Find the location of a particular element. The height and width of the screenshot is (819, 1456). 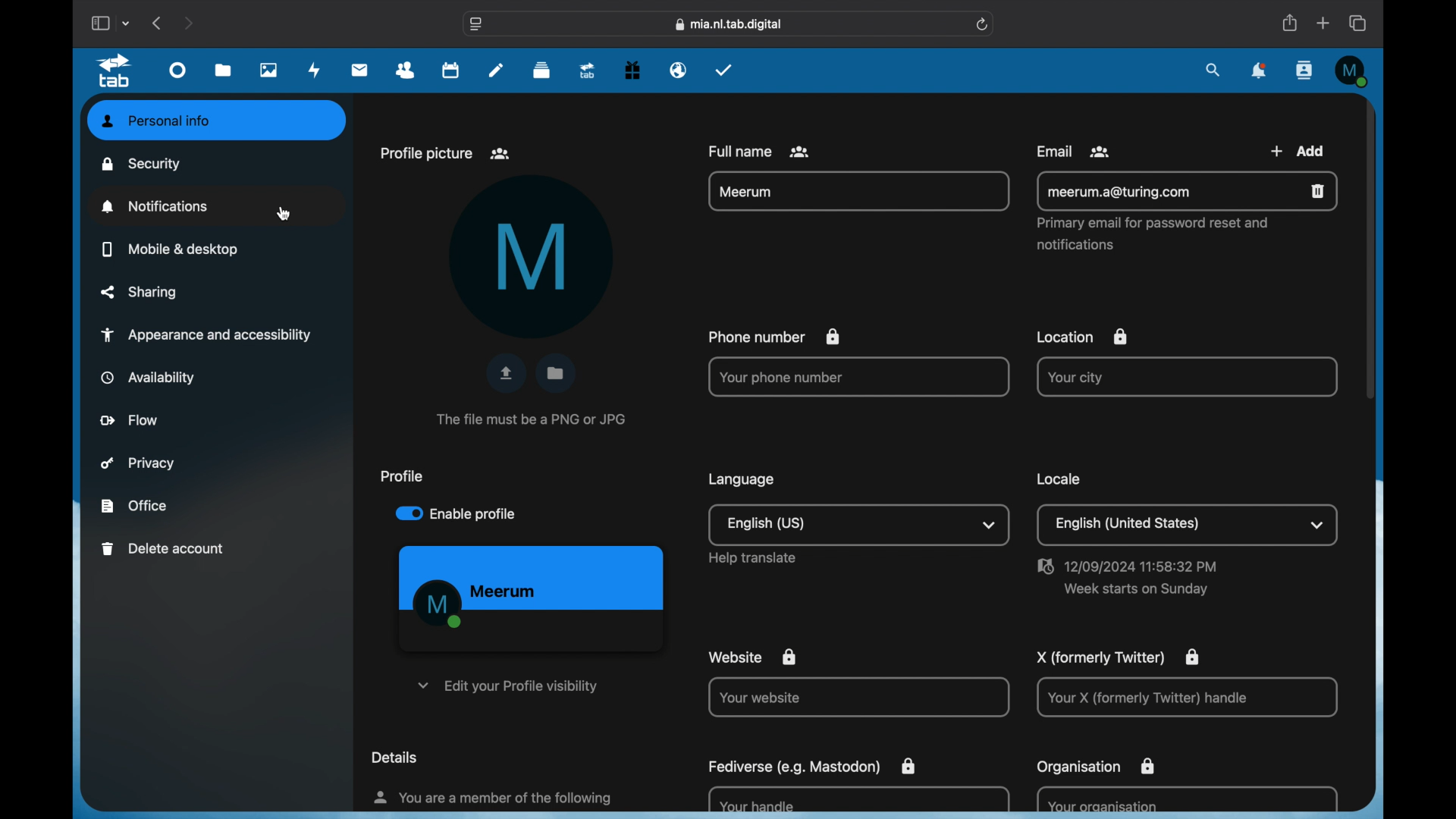

mail is located at coordinates (359, 70).